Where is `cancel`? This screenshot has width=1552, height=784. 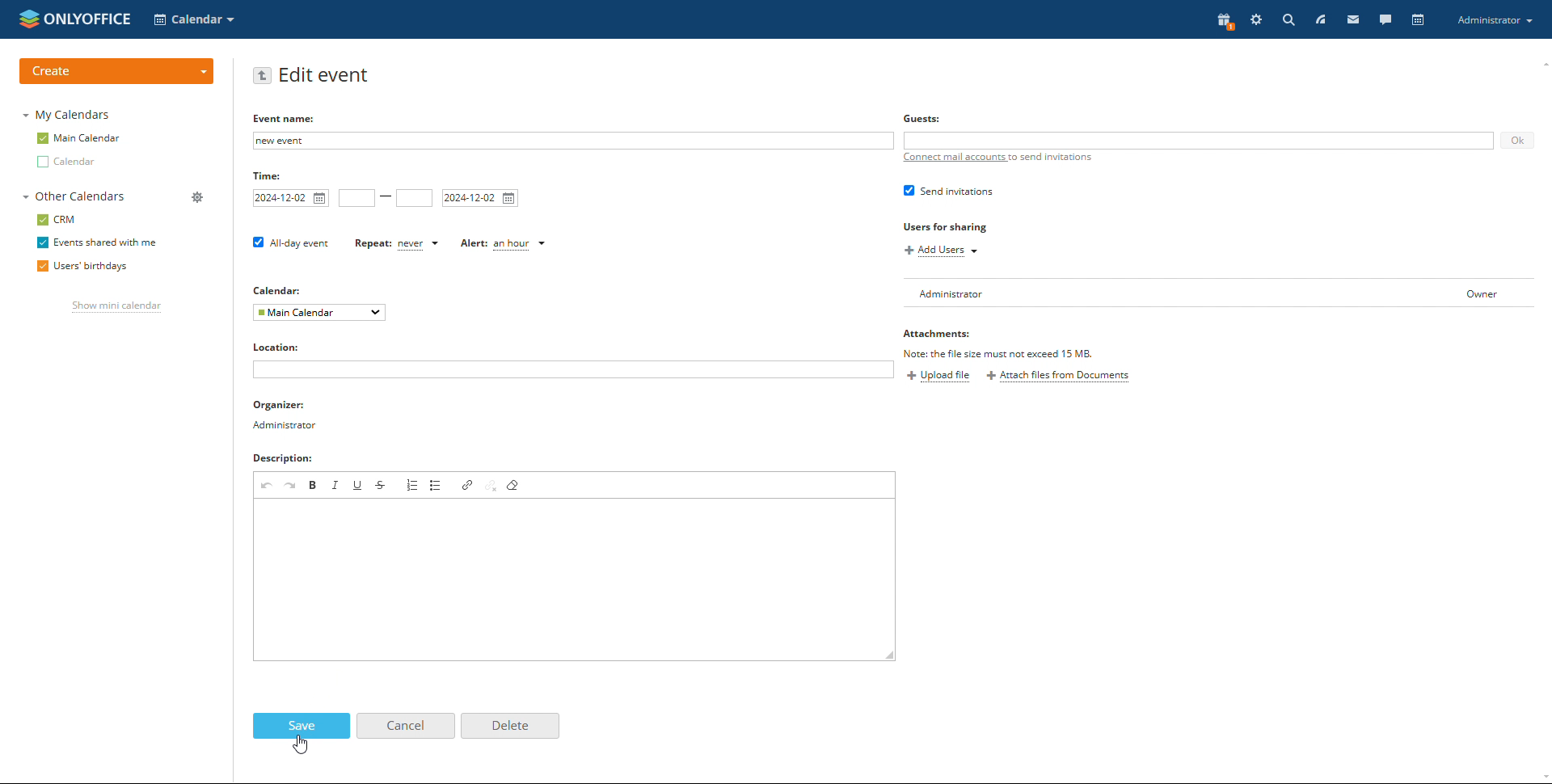
cancel is located at coordinates (407, 726).